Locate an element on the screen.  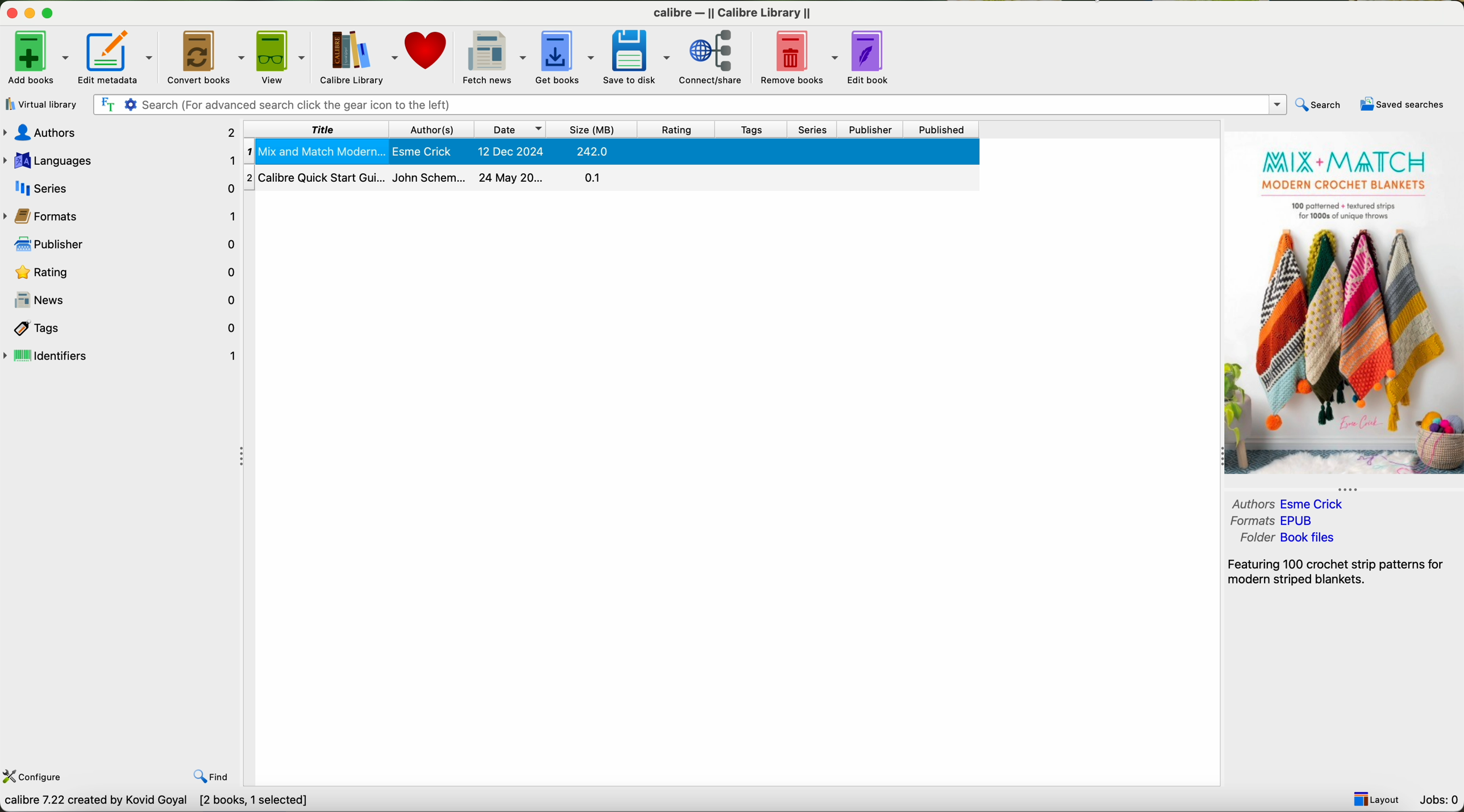
size is located at coordinates (594, 130).